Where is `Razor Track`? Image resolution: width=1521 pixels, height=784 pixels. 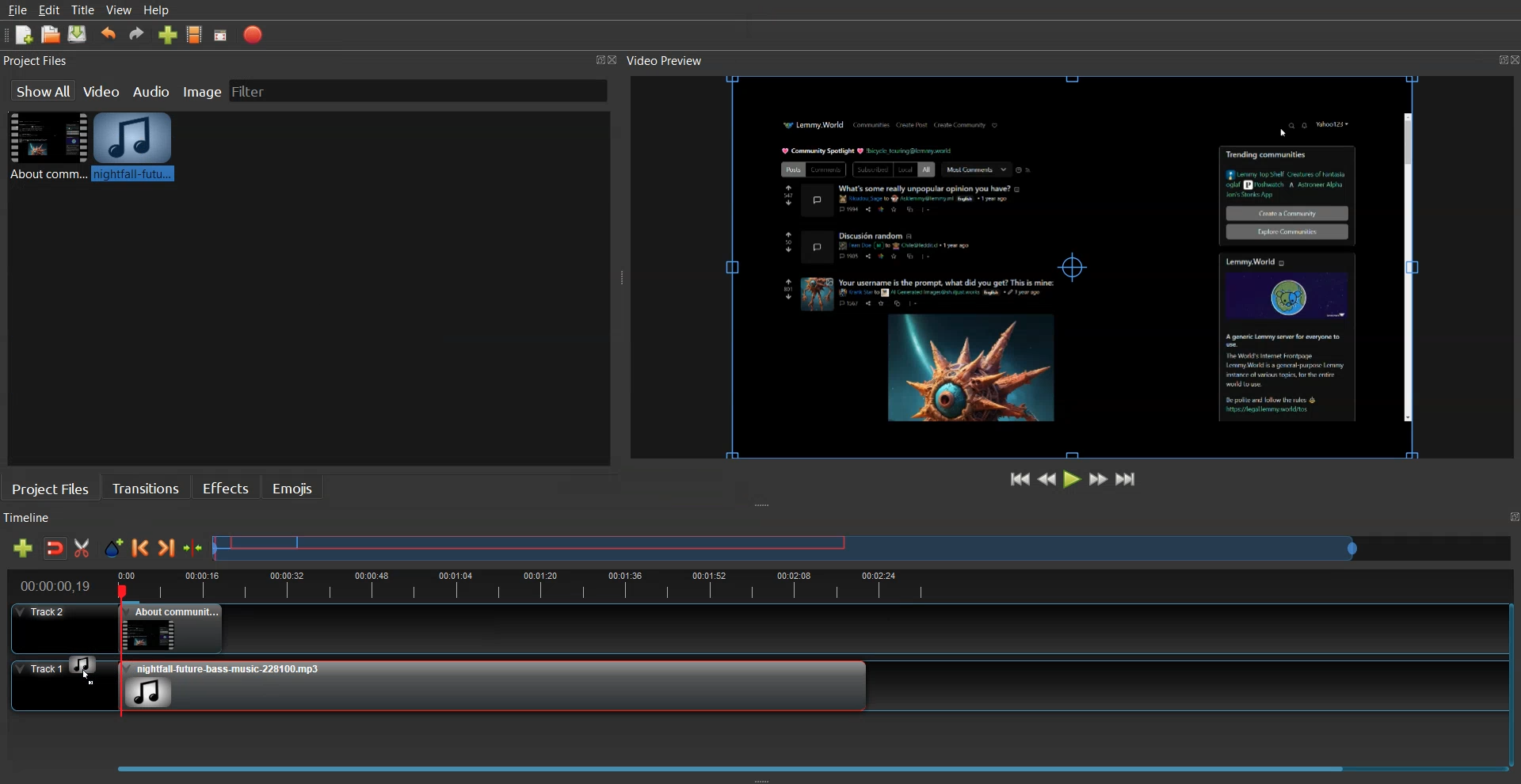
Razor Track is located at coordinates (83, 548).